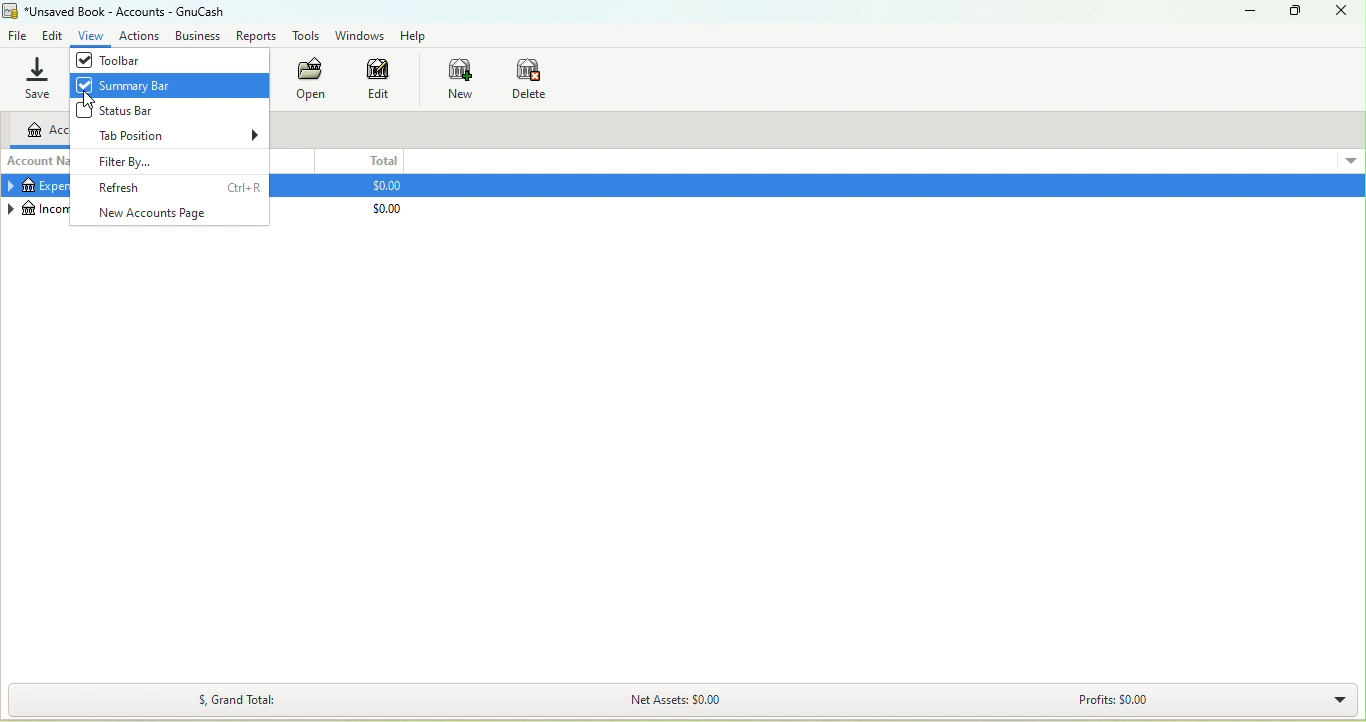 The height and width of the screenshot is (722, 1366). I want to click on View, so click(93, 36).